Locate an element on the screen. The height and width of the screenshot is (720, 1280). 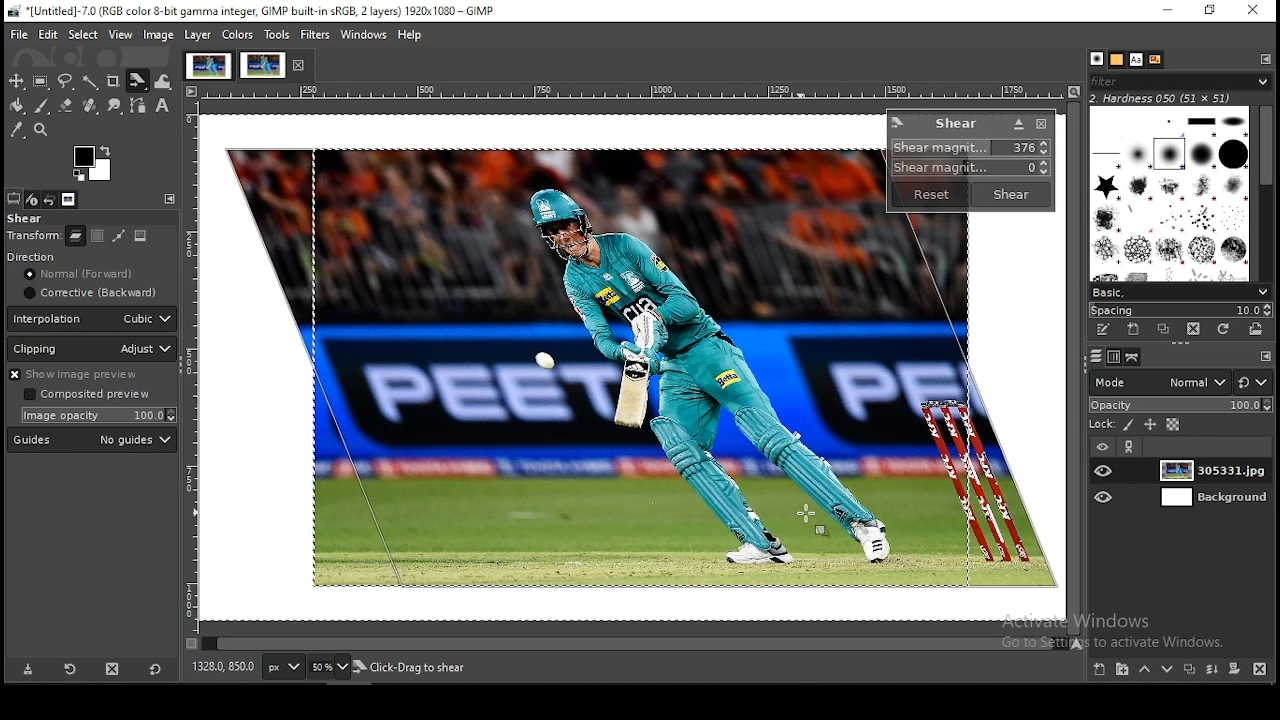
image is located at coordinates (158, 35).